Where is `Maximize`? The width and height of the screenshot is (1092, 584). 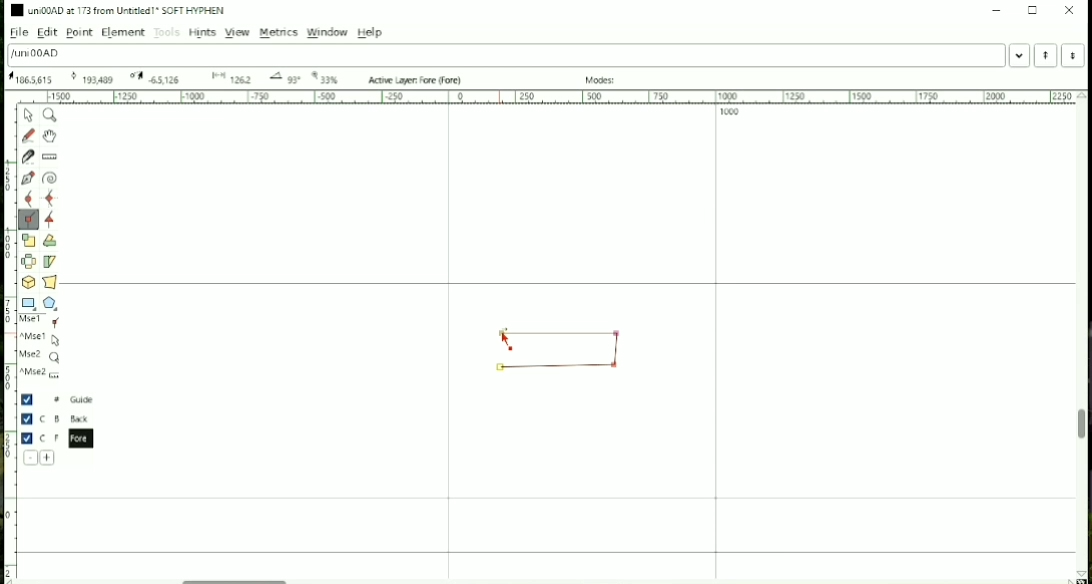
Maximize is located at coordinates (1033, 10).